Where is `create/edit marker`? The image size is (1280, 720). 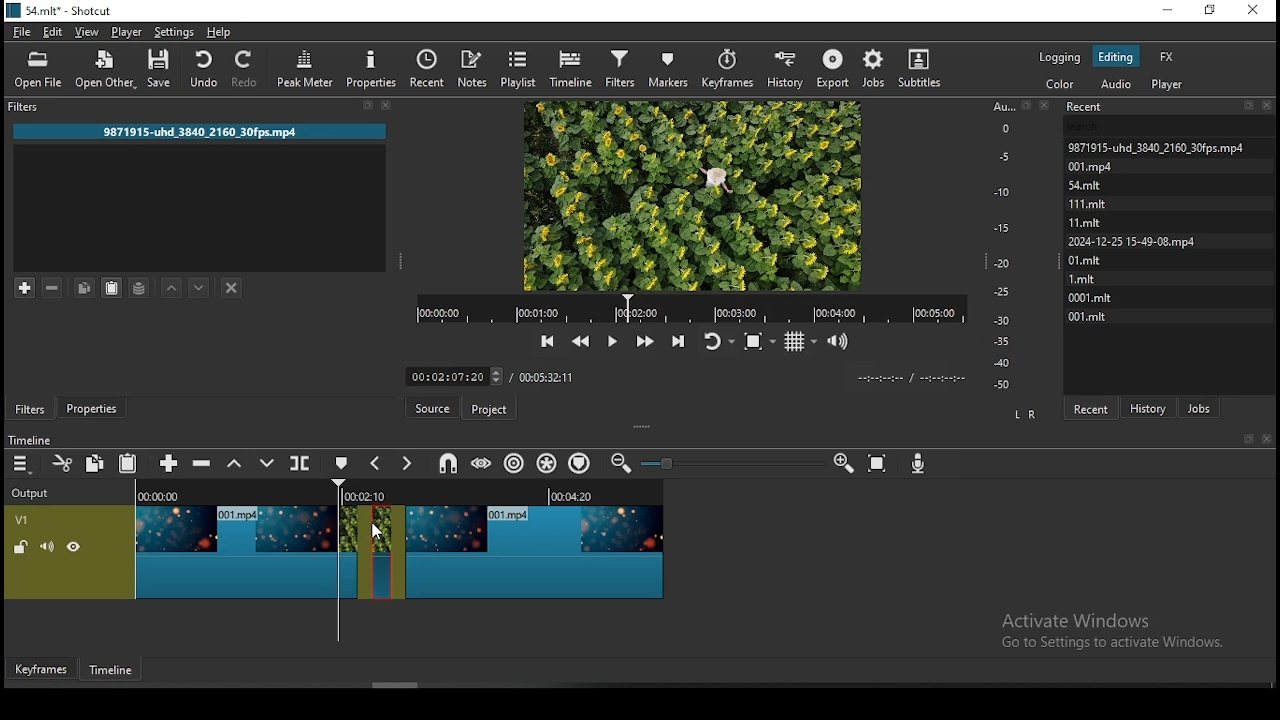
create/edit marker is located at coordinates (339, 464).